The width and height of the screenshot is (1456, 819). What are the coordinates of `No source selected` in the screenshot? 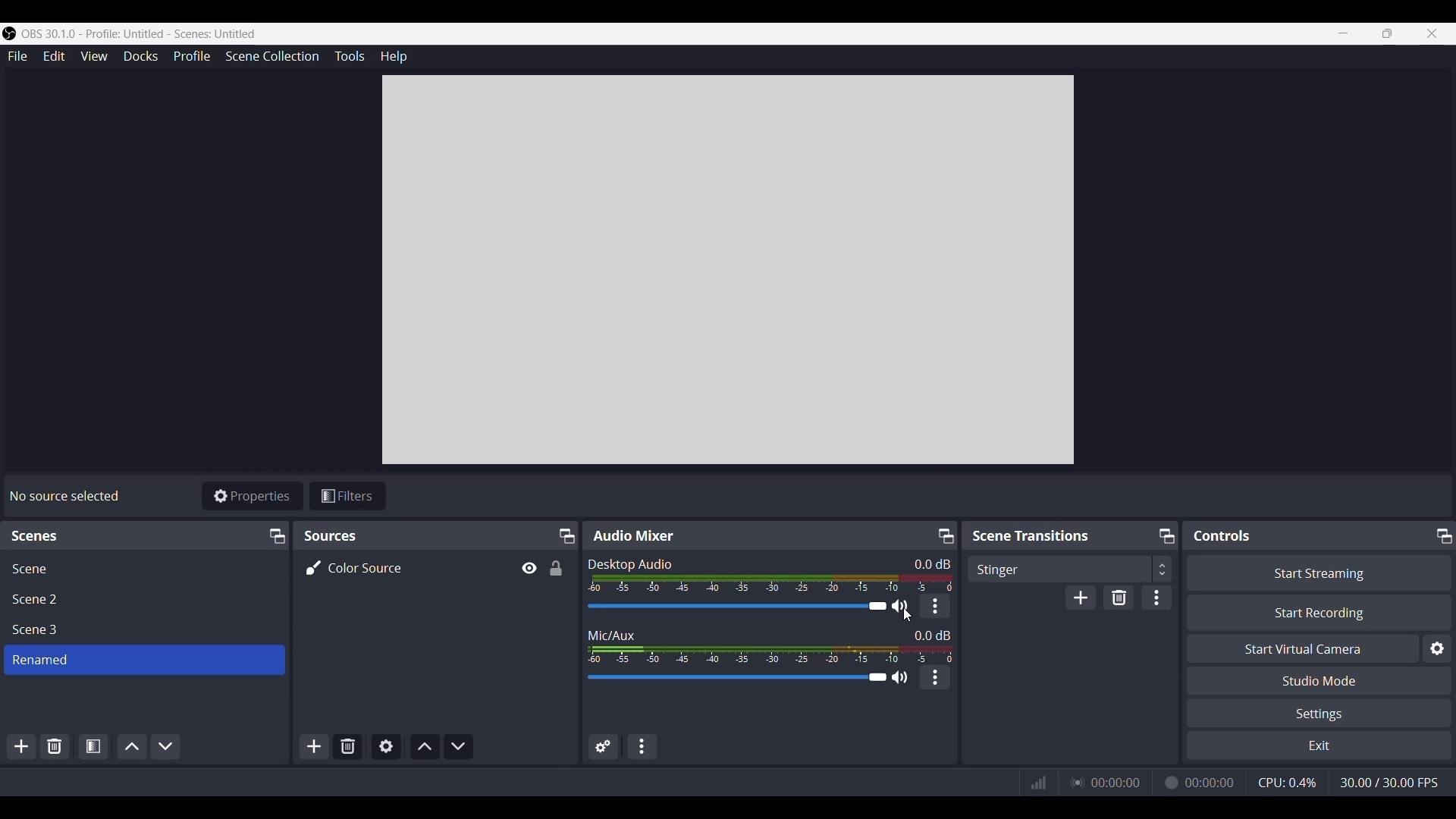 It's located at (68, 493).